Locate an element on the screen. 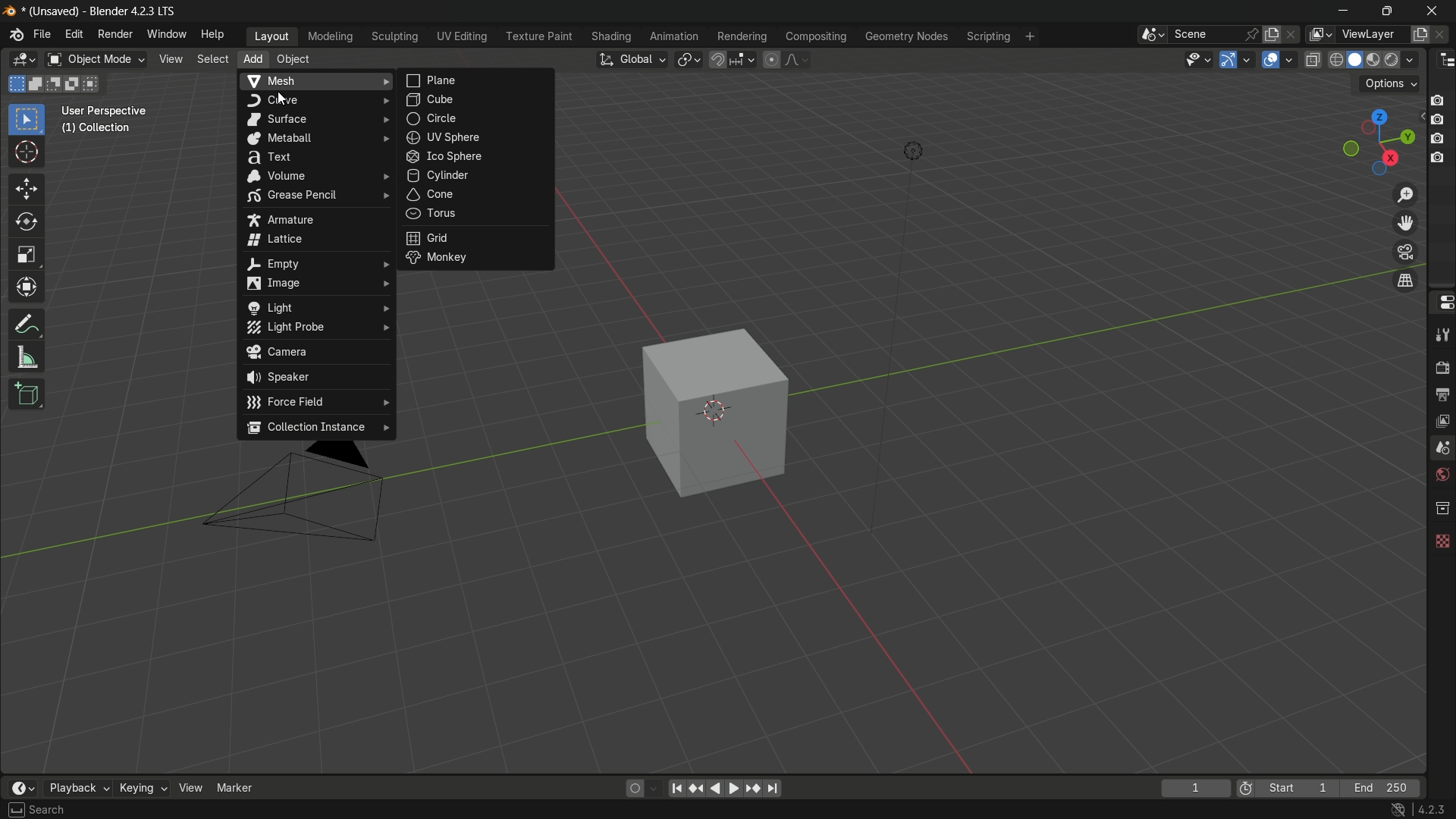 The image size is (1456, 819). end is located at coordinates (1386, 787).